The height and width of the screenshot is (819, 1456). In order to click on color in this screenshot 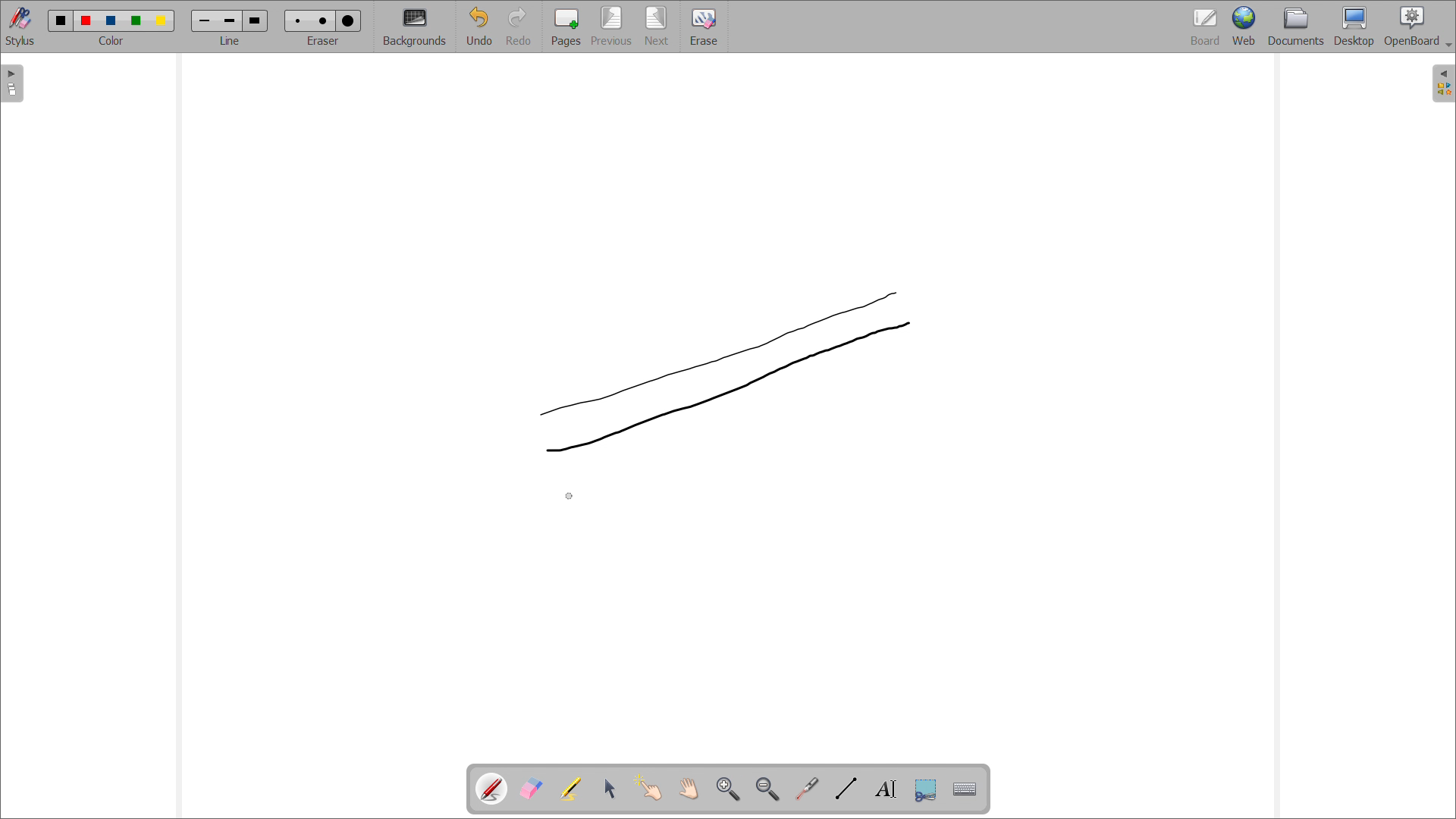, I will do `click(161, 21)`.